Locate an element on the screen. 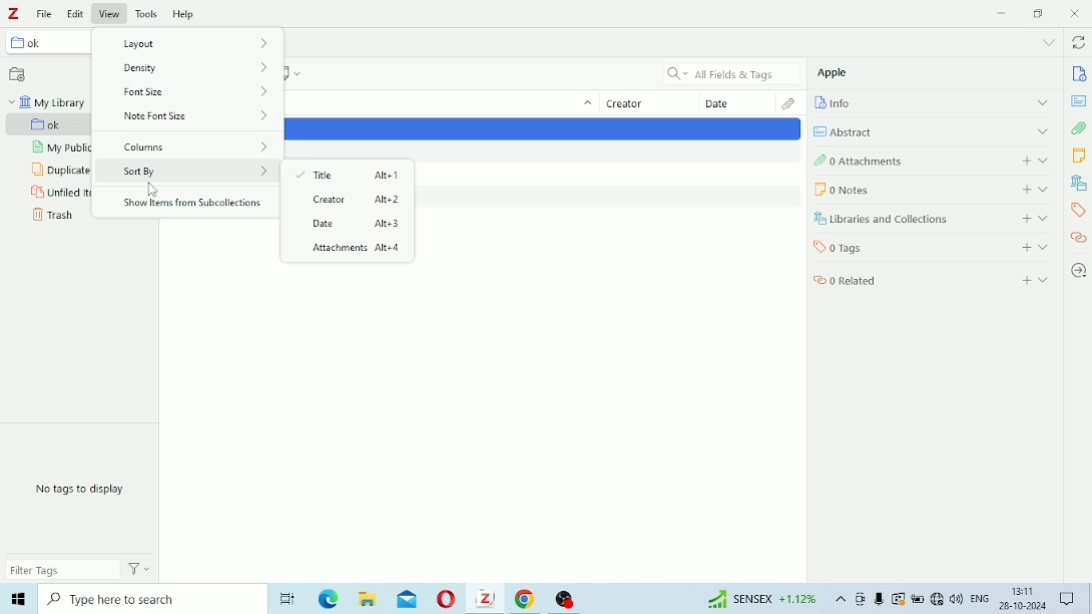  Font size is located at coordinates (203, 70).